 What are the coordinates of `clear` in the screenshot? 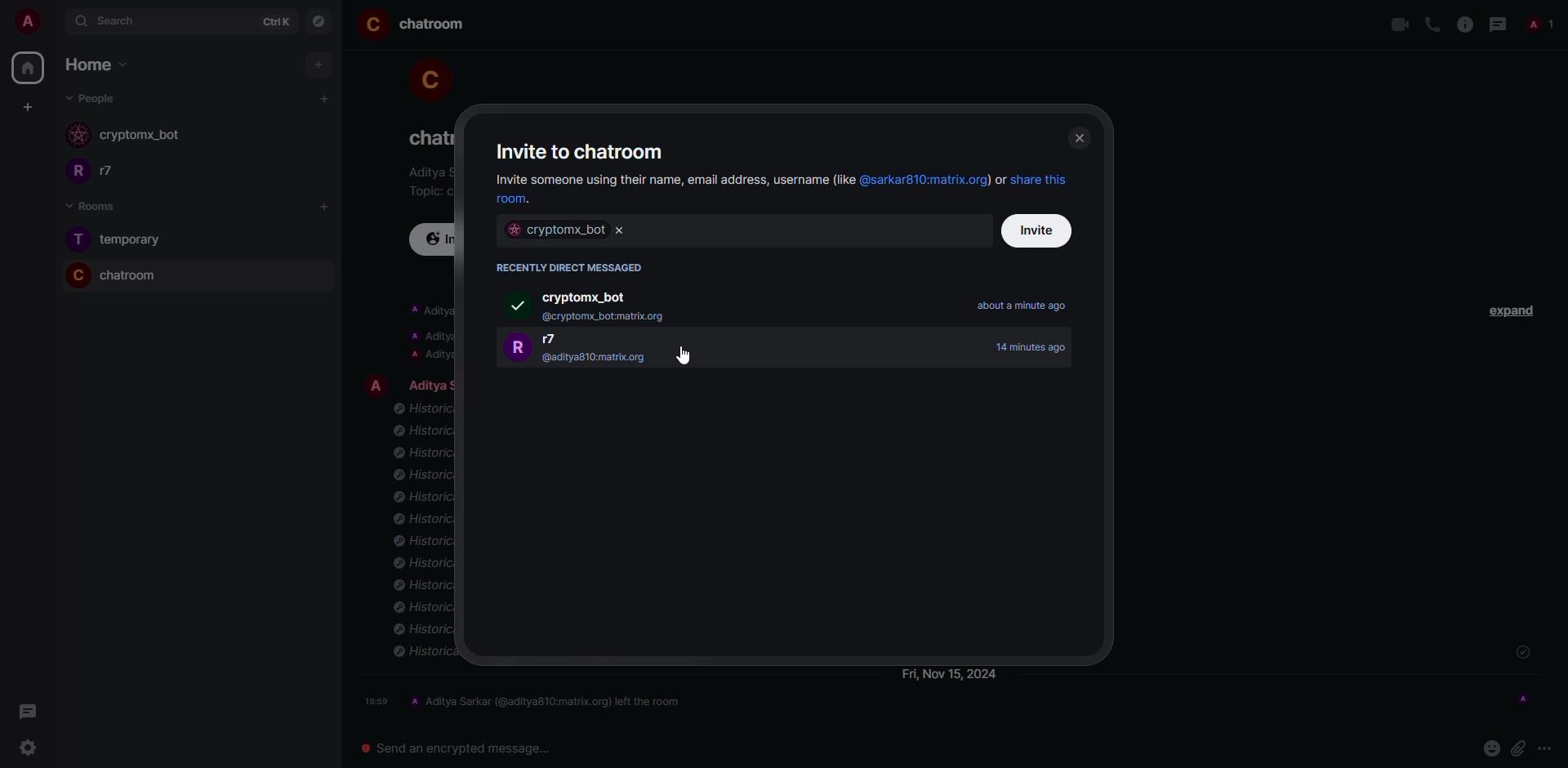 It's located at (619, 231).